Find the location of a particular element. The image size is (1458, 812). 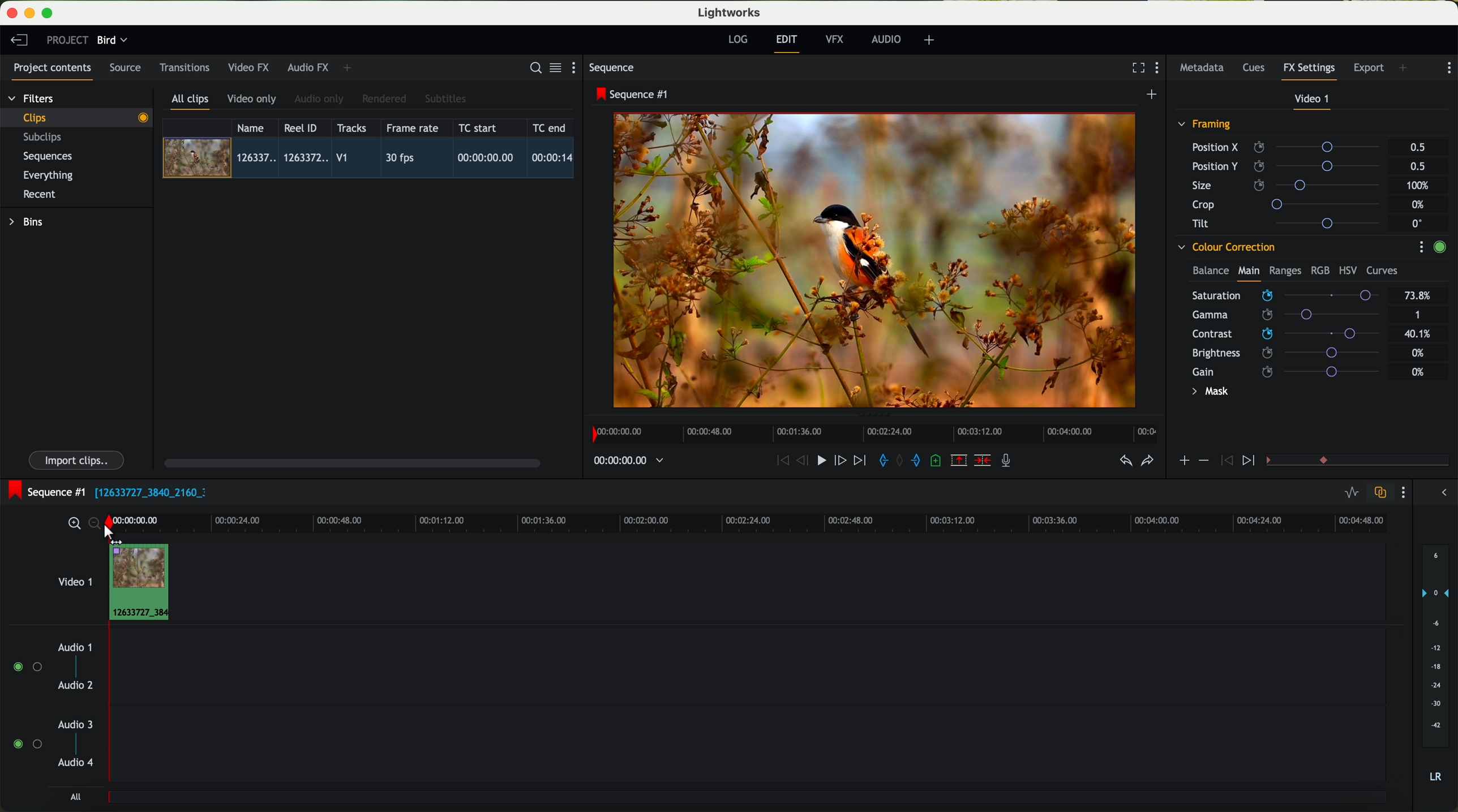

icon is located at coordinates (1250, 461).